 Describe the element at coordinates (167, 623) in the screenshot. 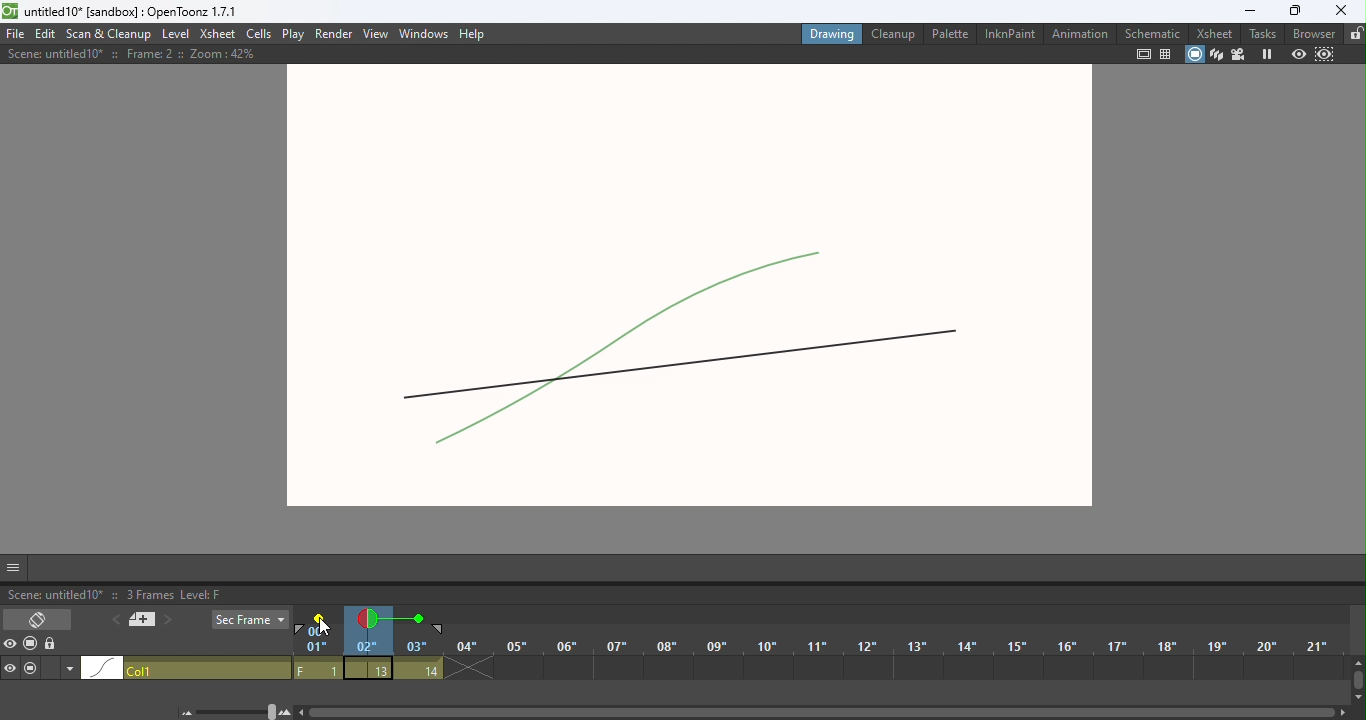

I see `Next memo` at that location.